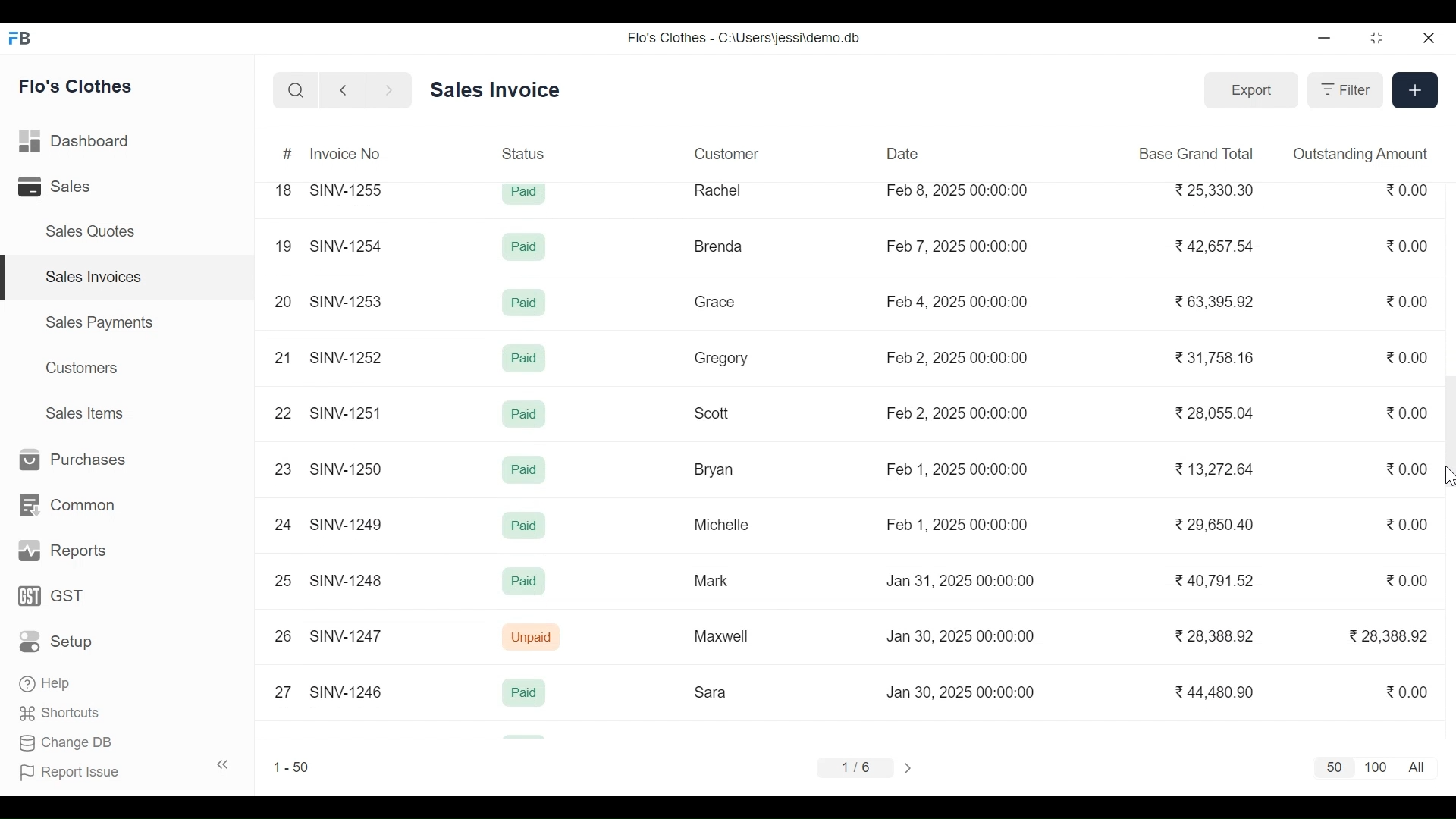 The image size is (1456, 819). I want to click on SINV-1250, so click(348, 469).